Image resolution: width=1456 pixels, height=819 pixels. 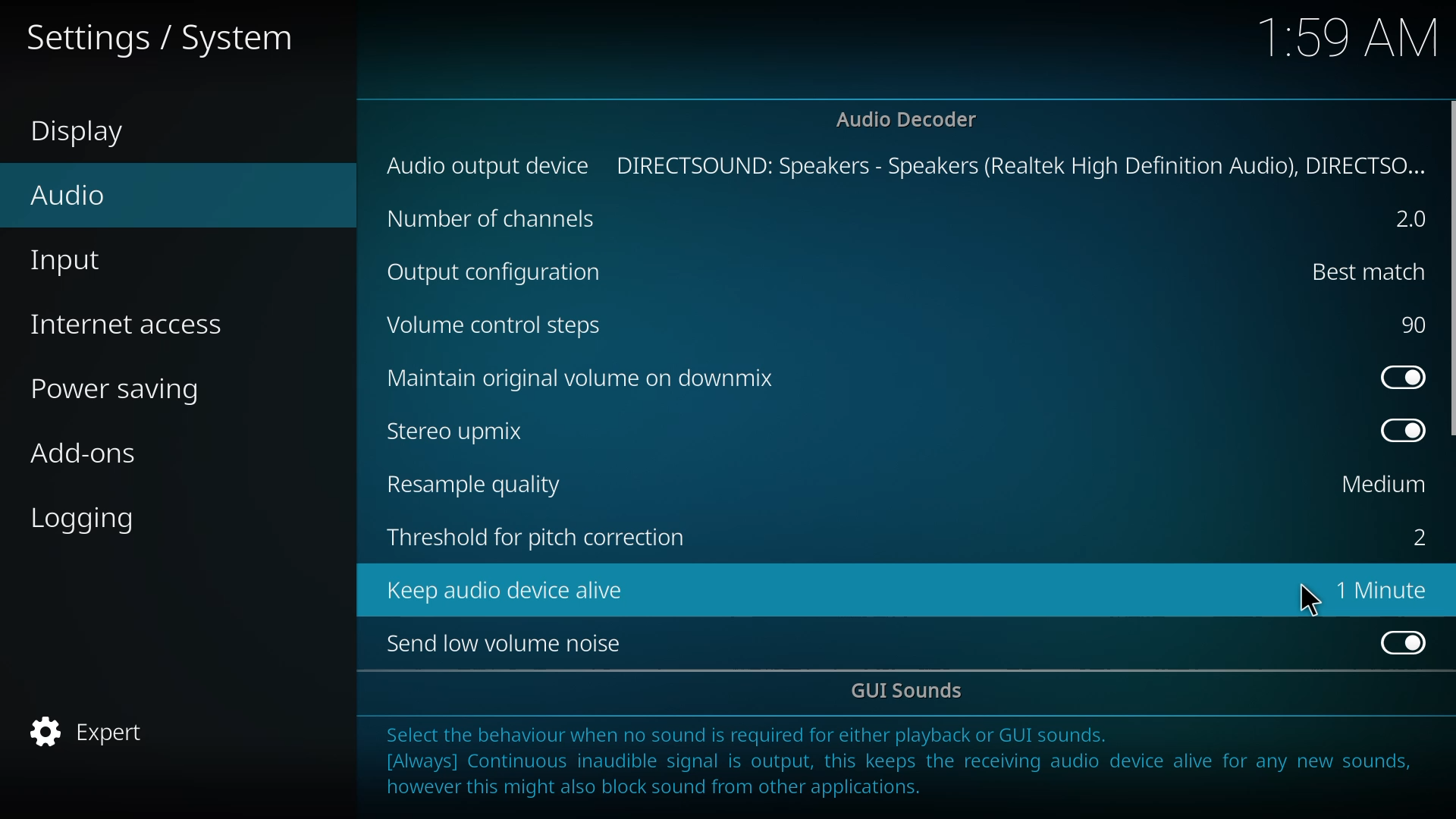 What do you see at coordinates (1398, 641) in the screenshot?
I see `enabled` at bounding box center [1398, 641].